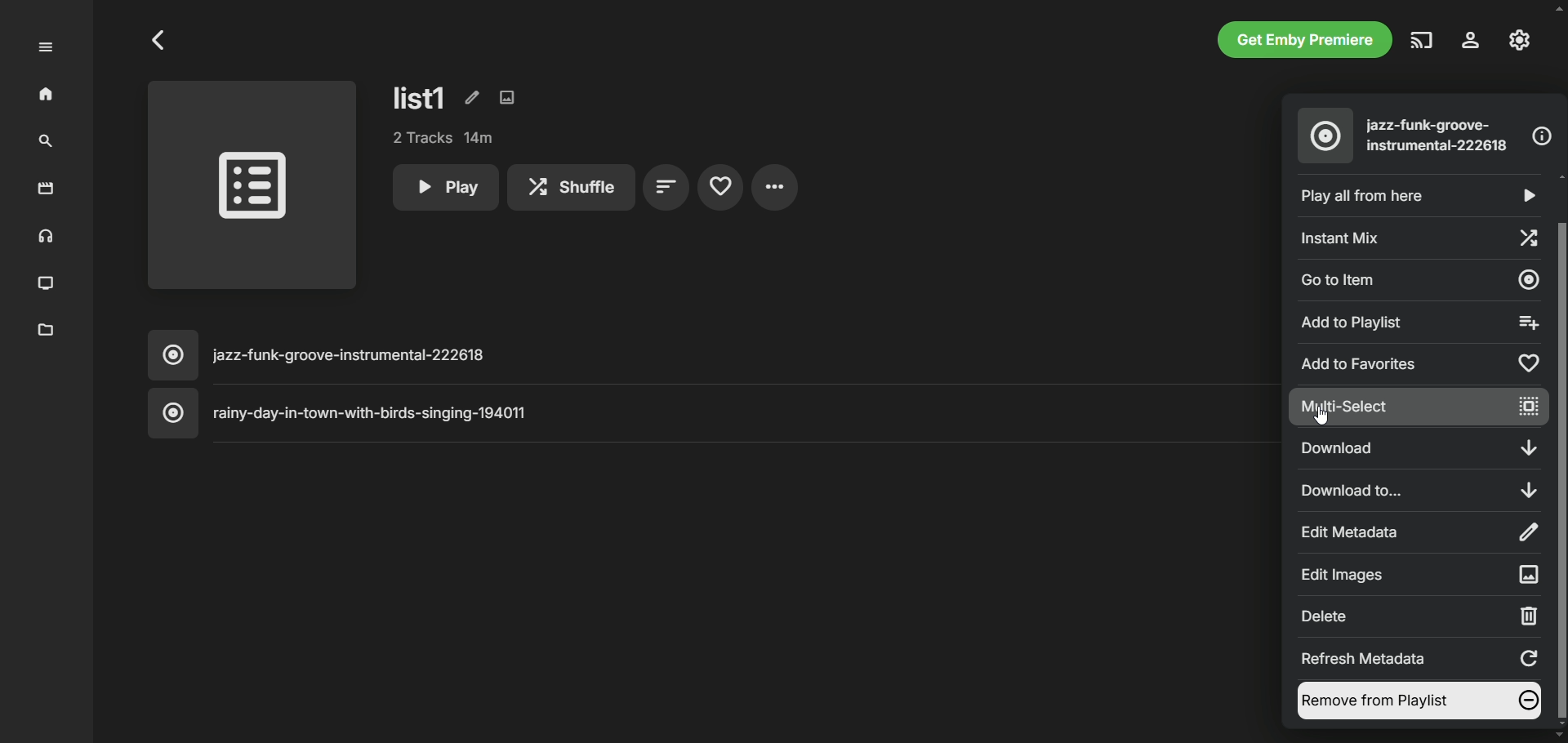 The height and width of the screenshot is (743, 1568). I want to click on play on another device, so click(1423, 40).